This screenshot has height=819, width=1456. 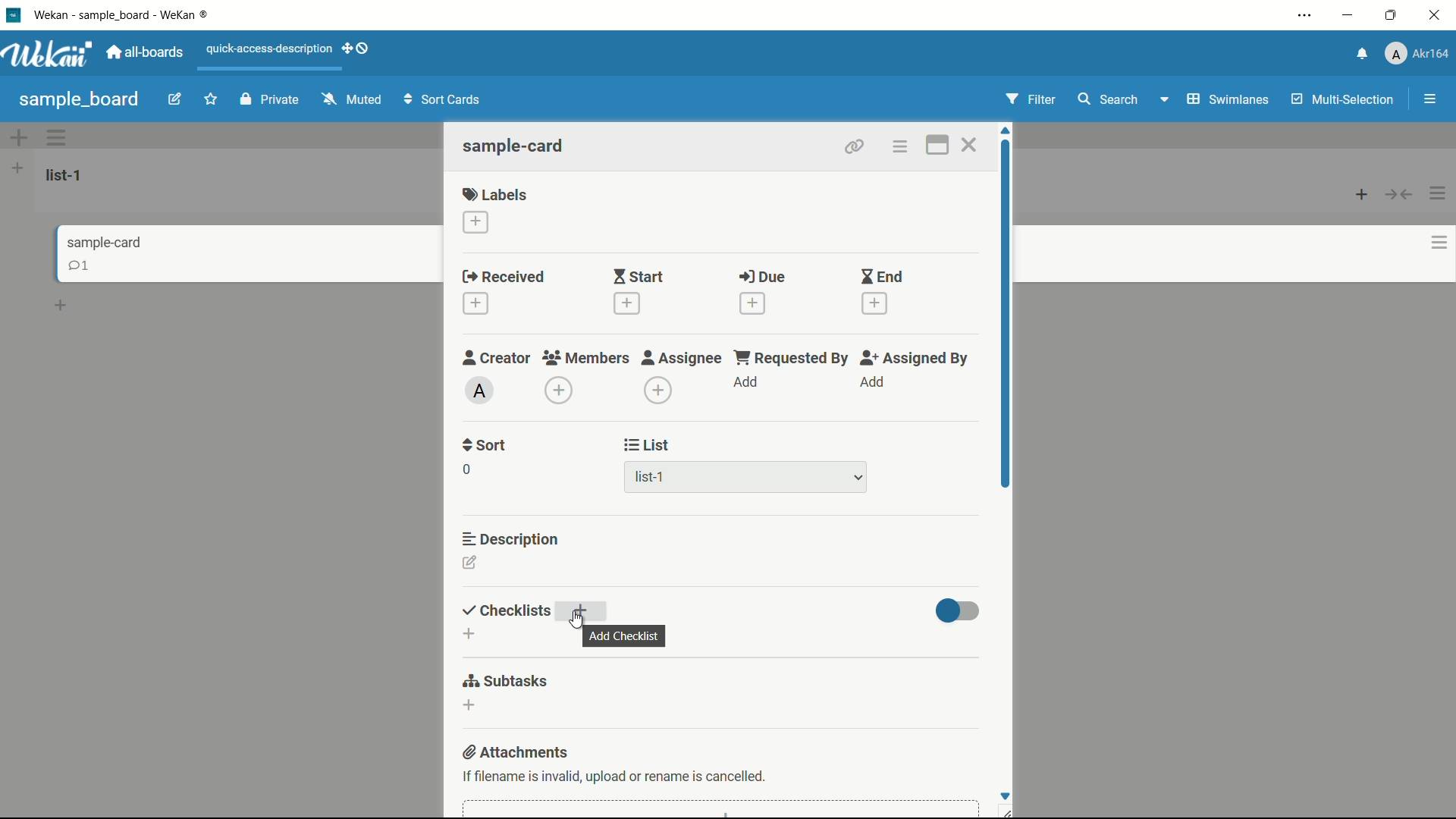 I want to click on toggle button, so click(x=957, y=612).